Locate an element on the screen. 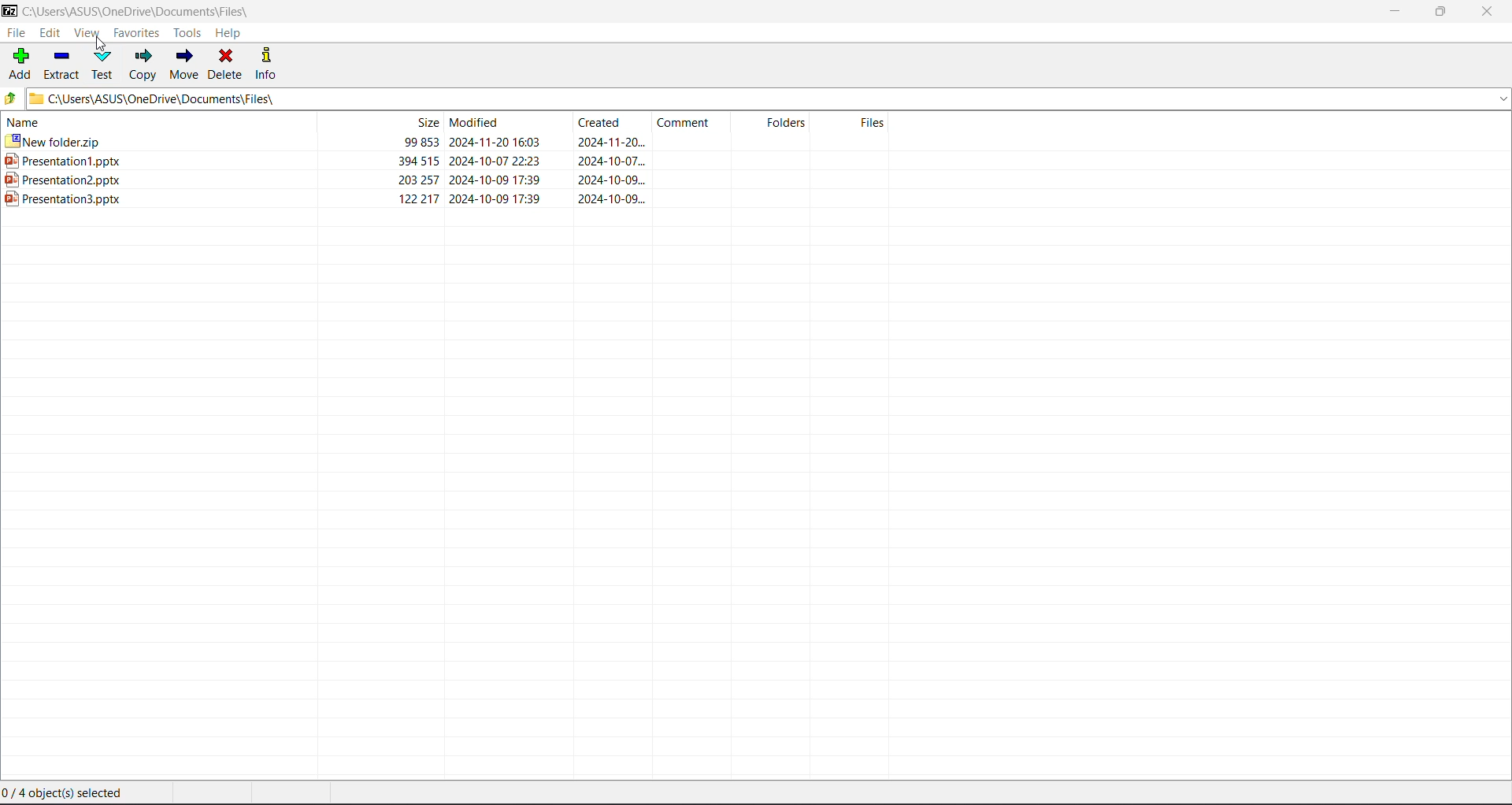 The width and height of the screenshot is (1512, 805). File is located at coordinates (16, 32).